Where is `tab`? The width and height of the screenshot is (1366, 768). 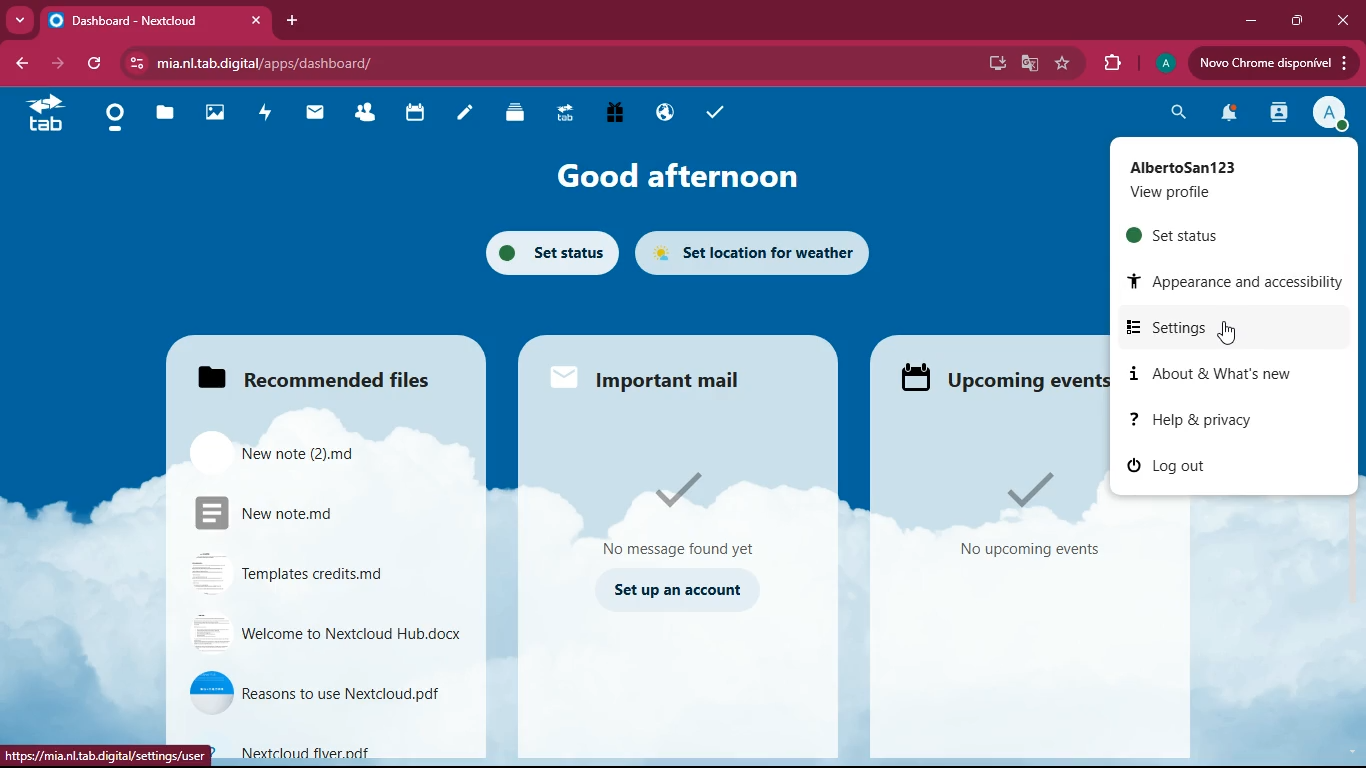 tab is located at coordinates (44, 122).